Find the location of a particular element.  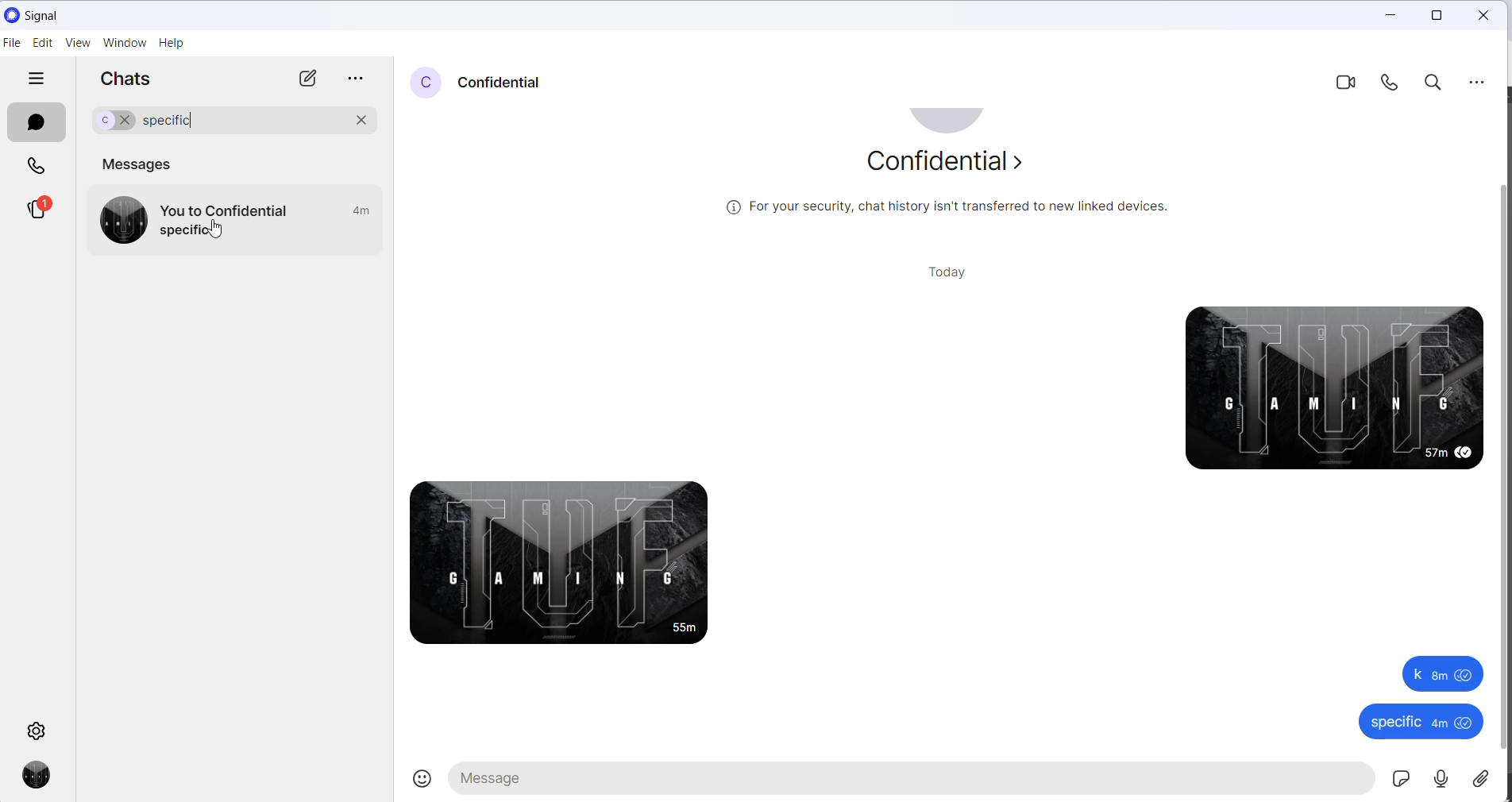

voice call is located at coordinates (1397, 83).